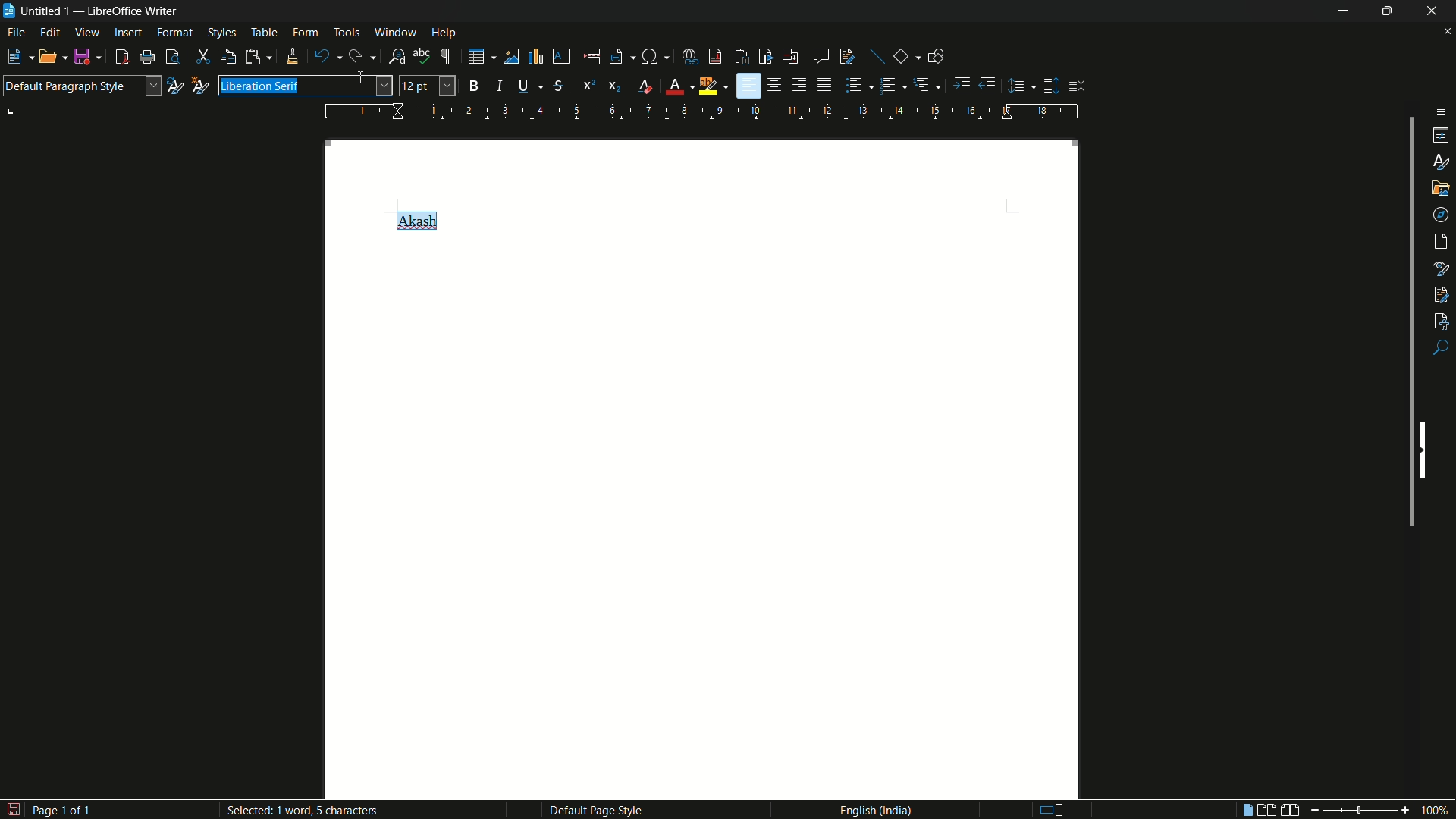  I want to click on paragraph style, so click(81, 86).